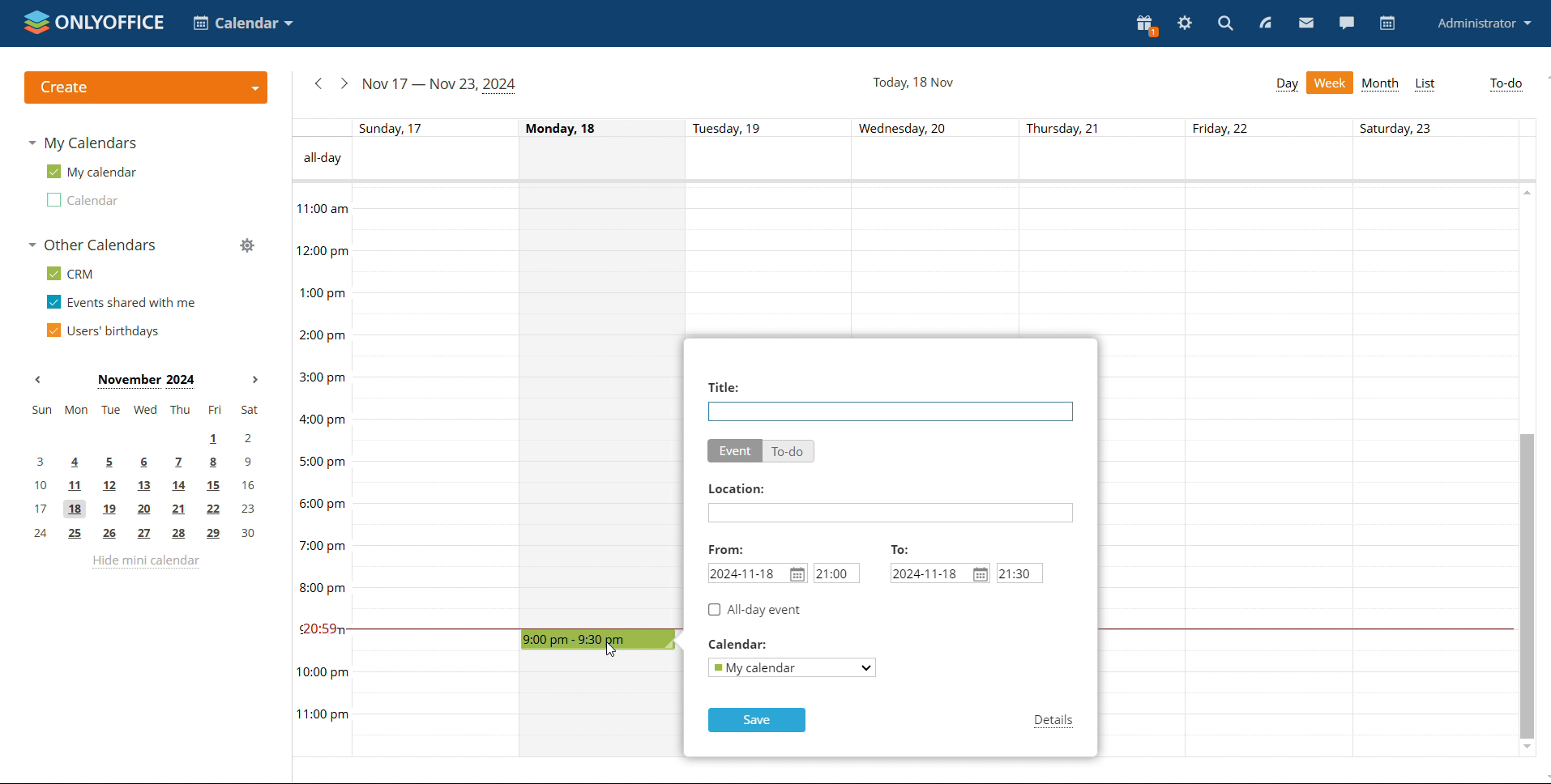 This screenshot has width=1551, height=784. I want to click on to, so click(900, 548).